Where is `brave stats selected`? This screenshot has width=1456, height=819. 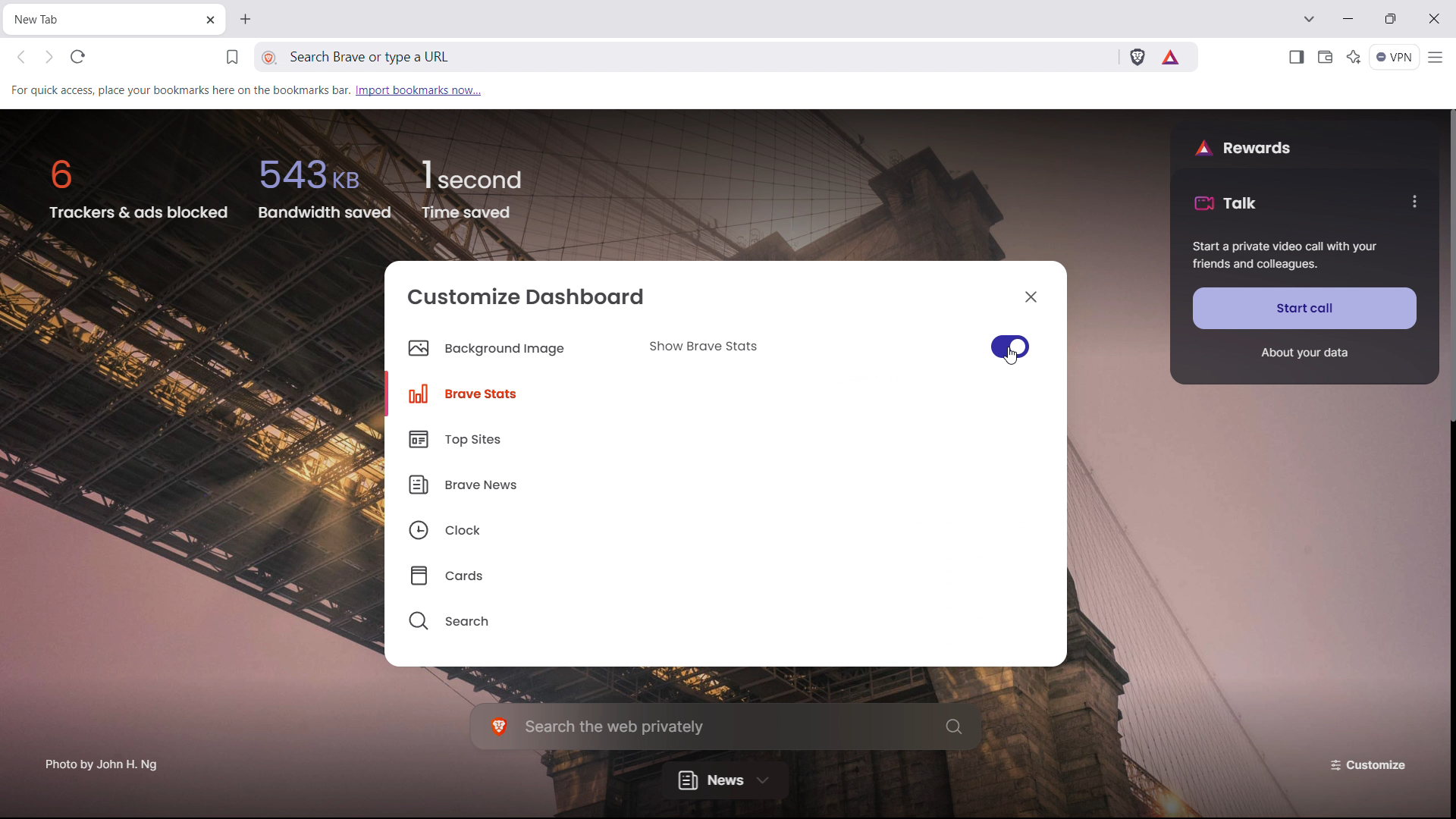 brave stats selected is located at coordinates (497, 393).